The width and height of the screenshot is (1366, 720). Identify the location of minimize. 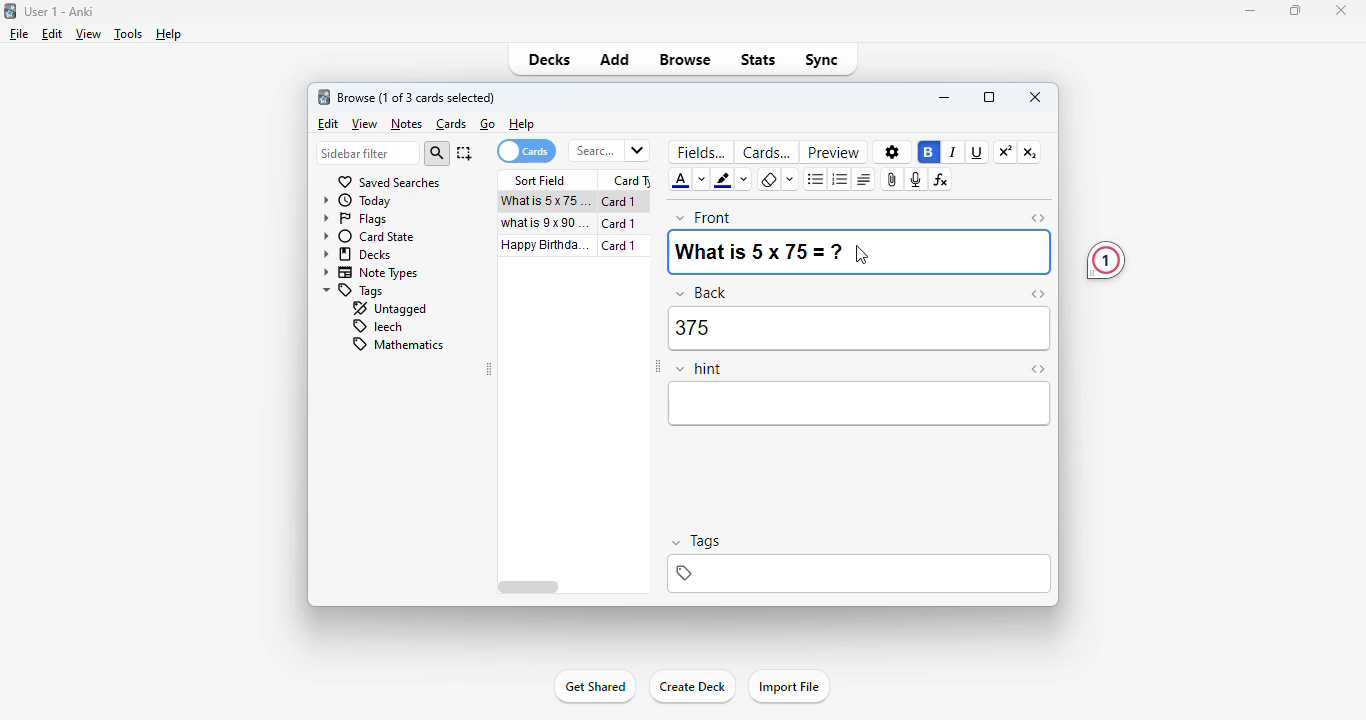
(944, 98).